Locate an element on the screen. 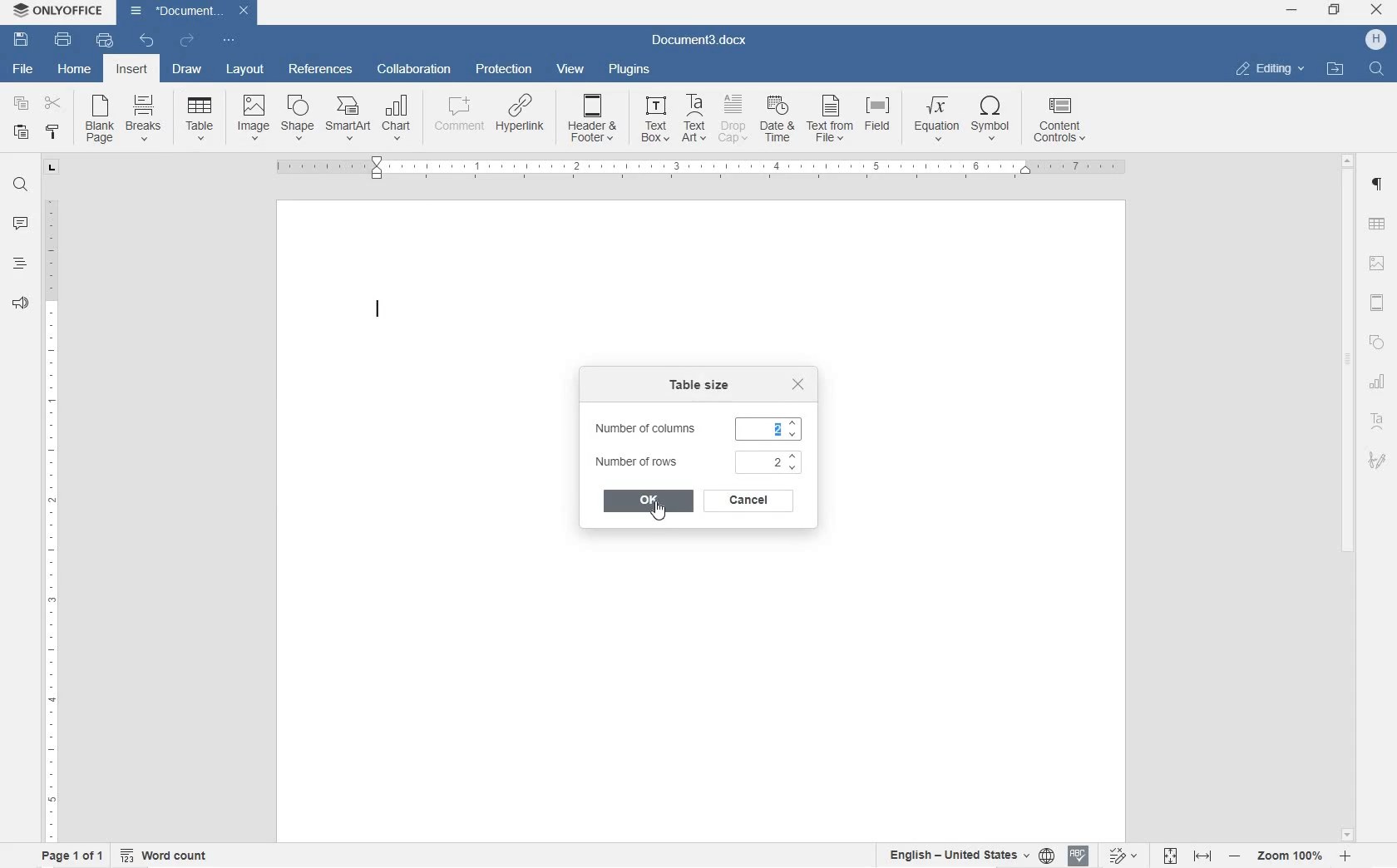 Image resolution: width=1397 pixels, height=868 pixels. PAGE 1 OF 1 is located at coordinates (68, 856).